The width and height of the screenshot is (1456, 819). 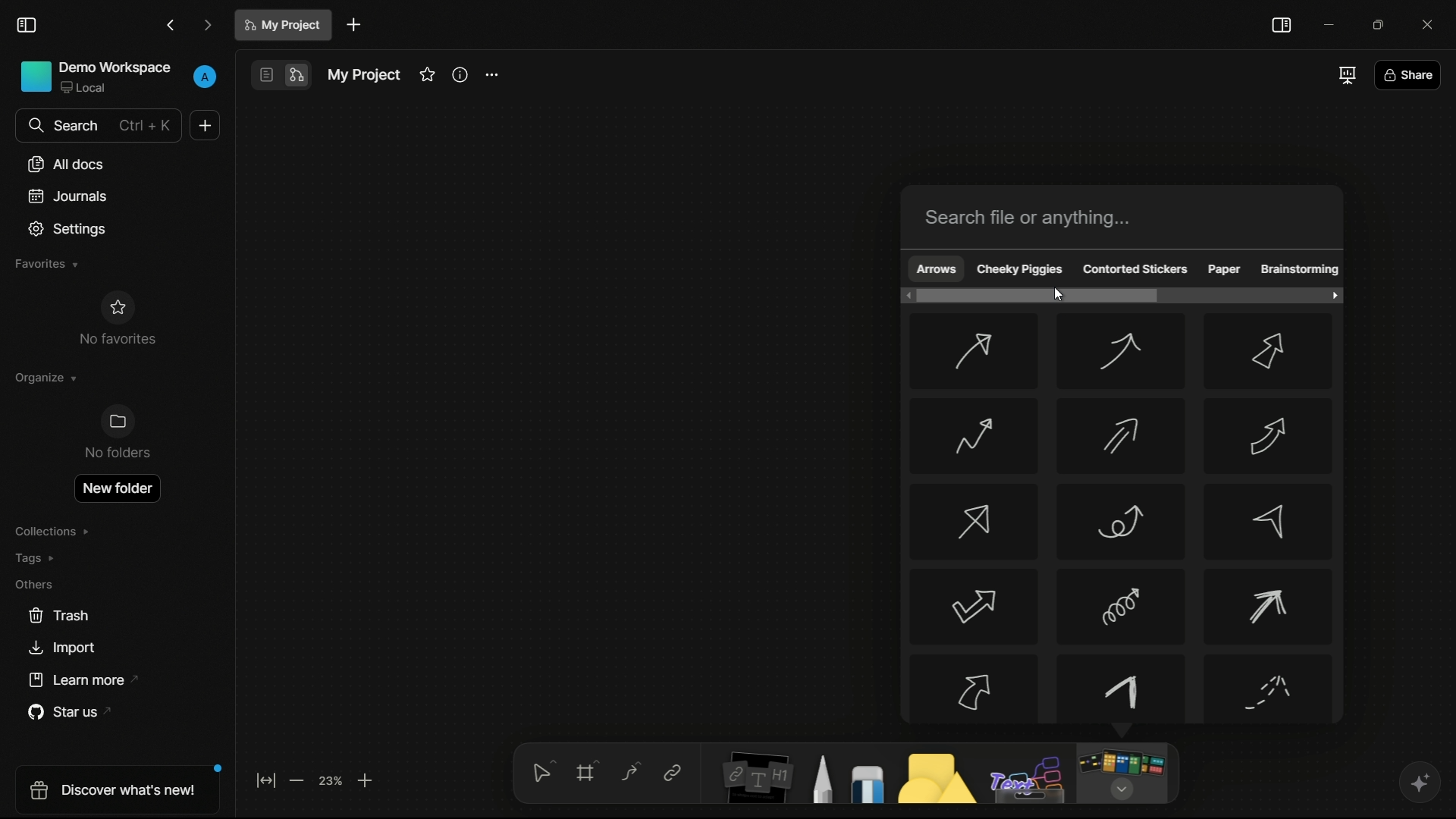 What do you see at coordinates (60, 616) in the screenshot?
I see `trash` at bounding box center [60, 616].